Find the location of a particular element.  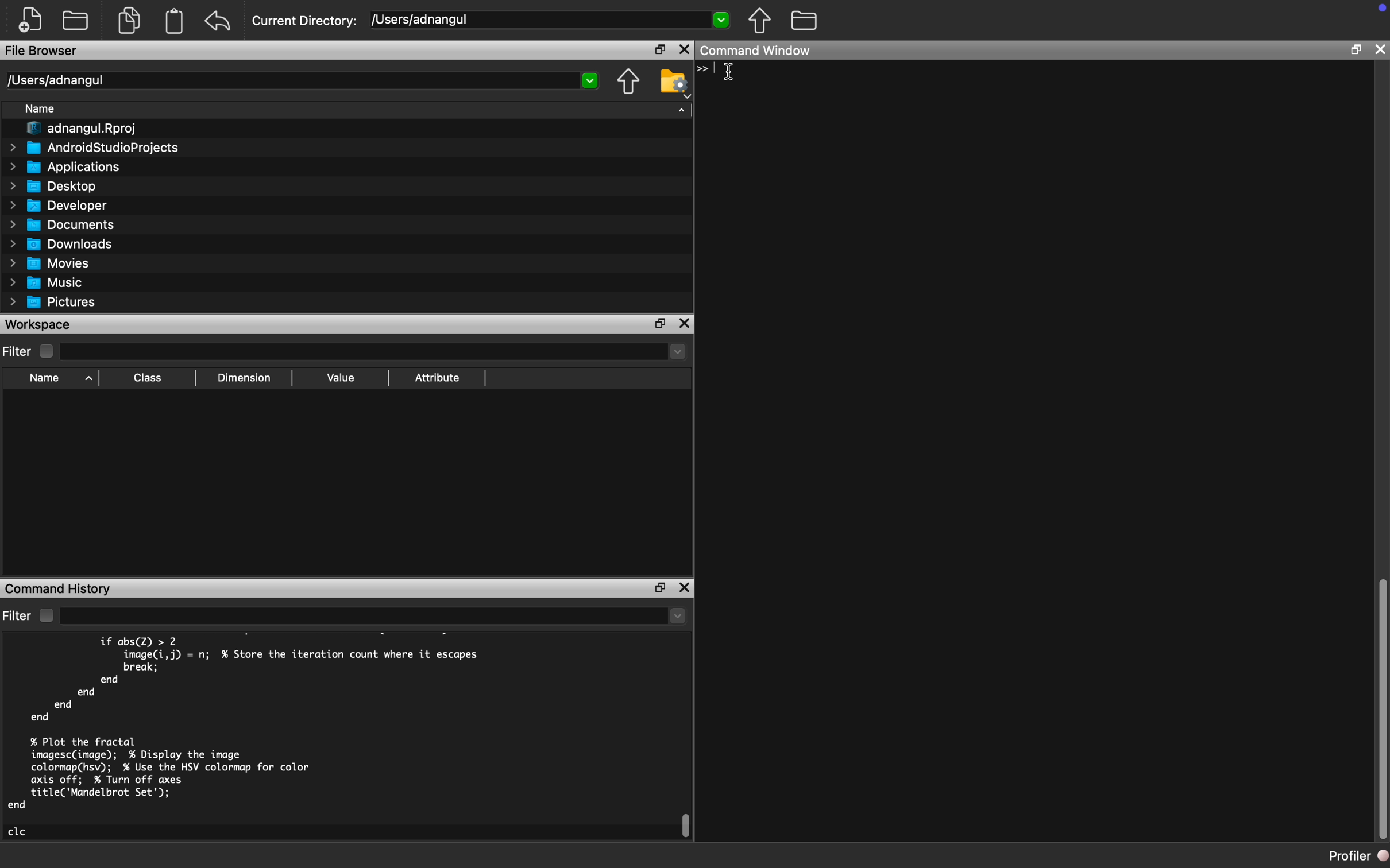

Desktop is located at coordinates (50, 187).